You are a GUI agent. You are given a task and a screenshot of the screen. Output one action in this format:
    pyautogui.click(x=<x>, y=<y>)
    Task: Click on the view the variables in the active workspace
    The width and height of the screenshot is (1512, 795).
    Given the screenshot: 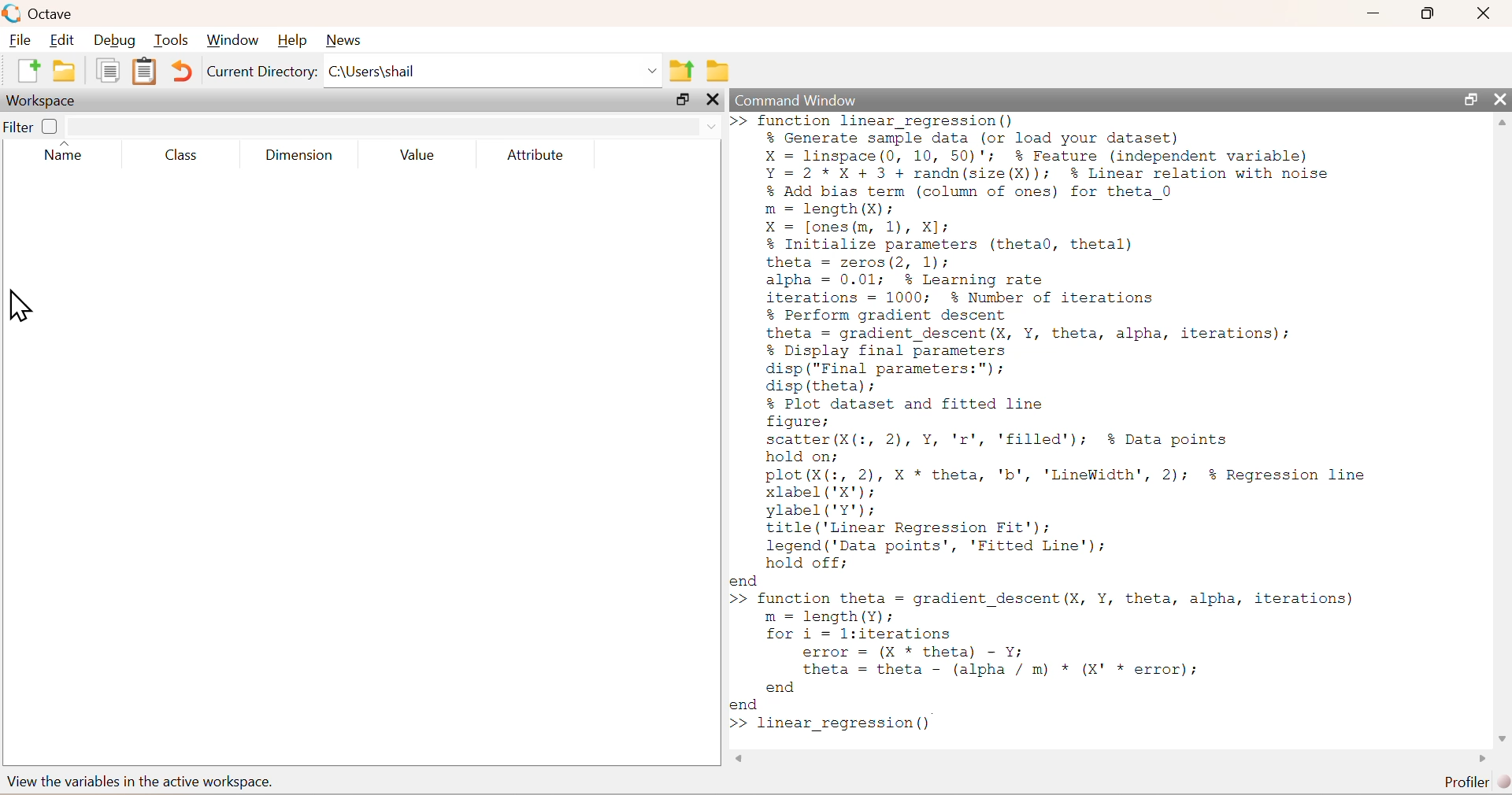 What is the action you would take?
    pyautogui.click(x=142, y=782)
    